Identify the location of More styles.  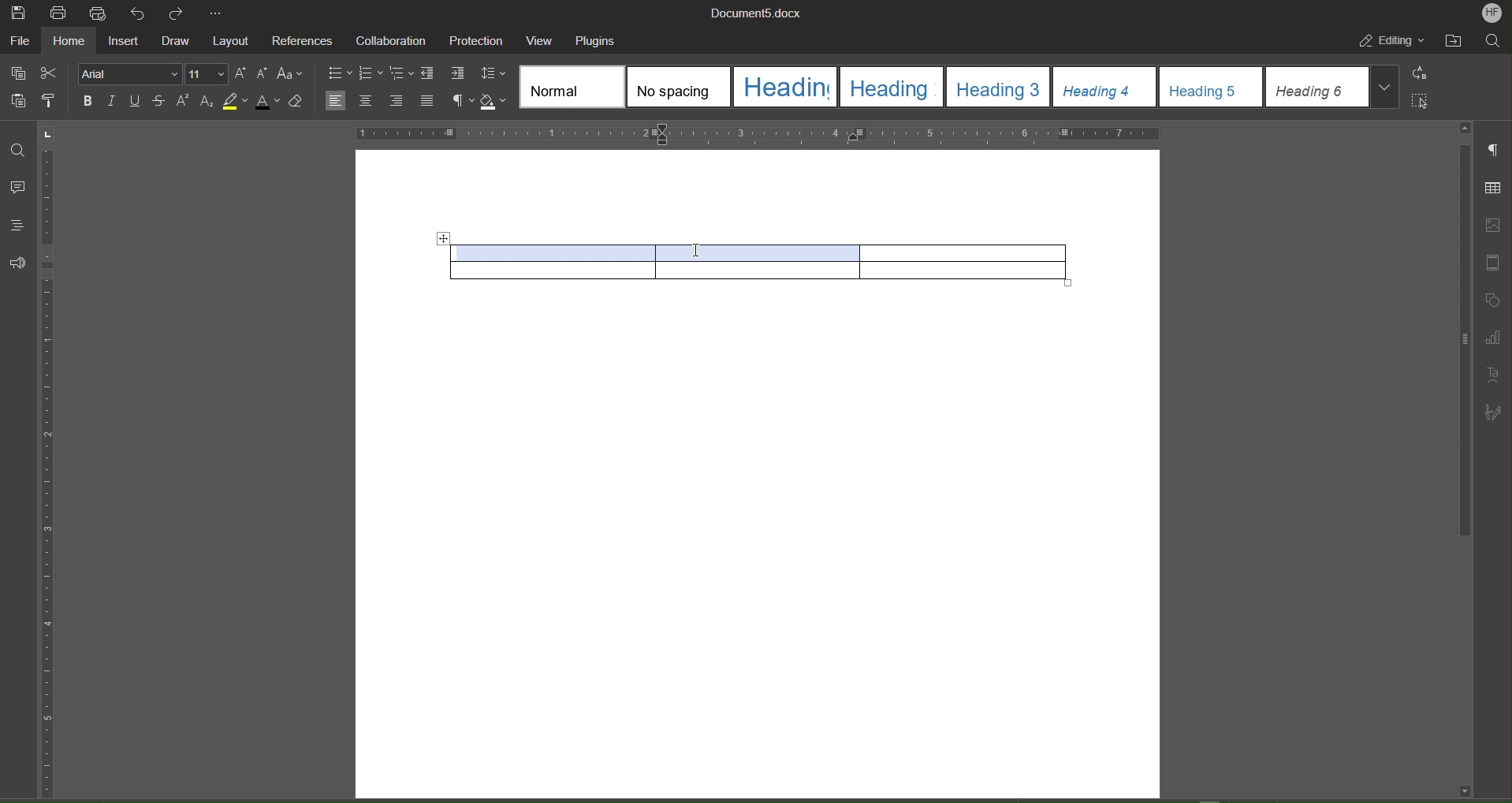
(1385, 85).